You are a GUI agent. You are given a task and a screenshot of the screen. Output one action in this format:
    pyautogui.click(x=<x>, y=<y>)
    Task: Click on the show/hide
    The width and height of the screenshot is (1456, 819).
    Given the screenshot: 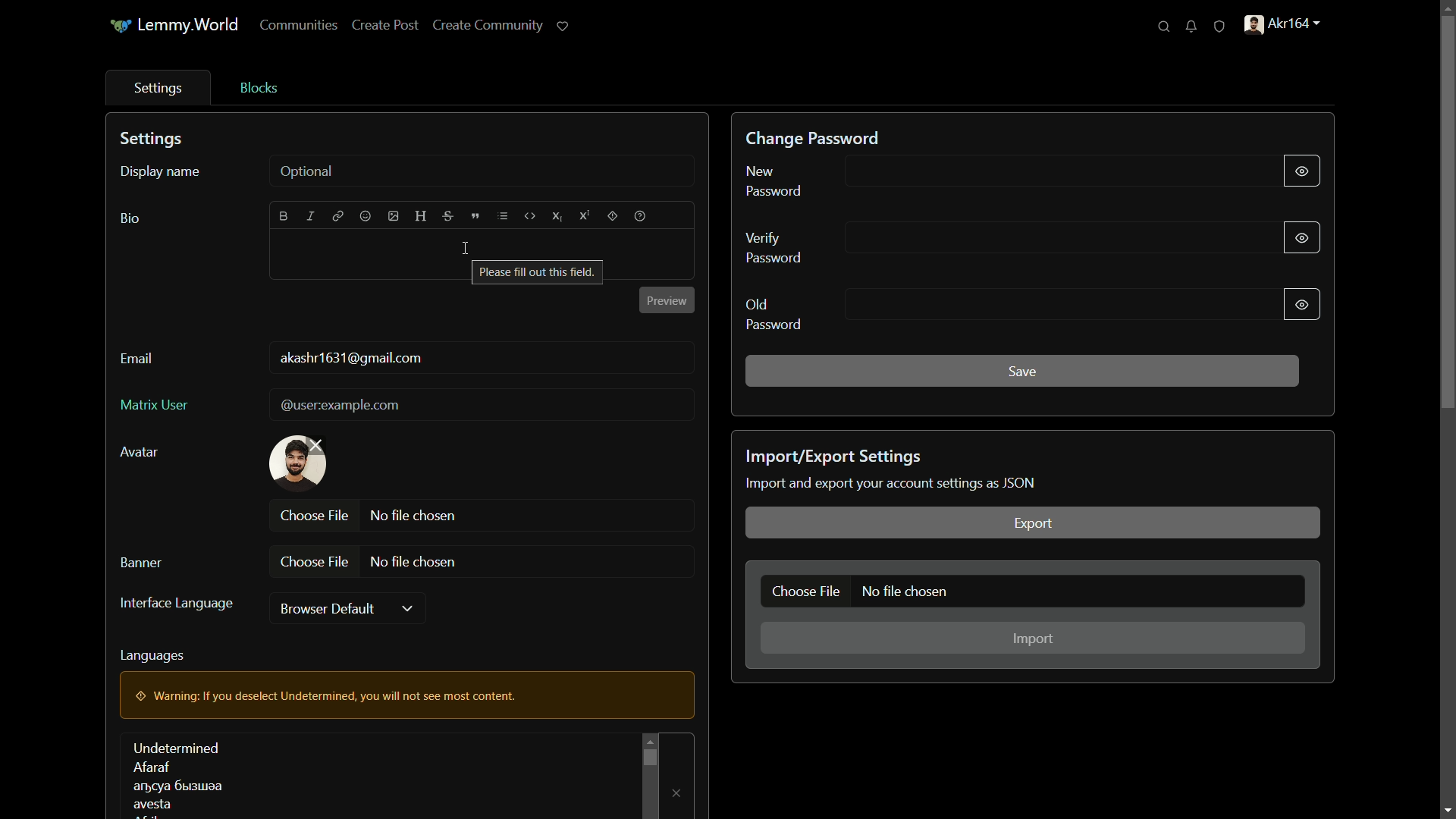 What is the action you would take?
    pyautogui.click(x=1301, y=239)
    